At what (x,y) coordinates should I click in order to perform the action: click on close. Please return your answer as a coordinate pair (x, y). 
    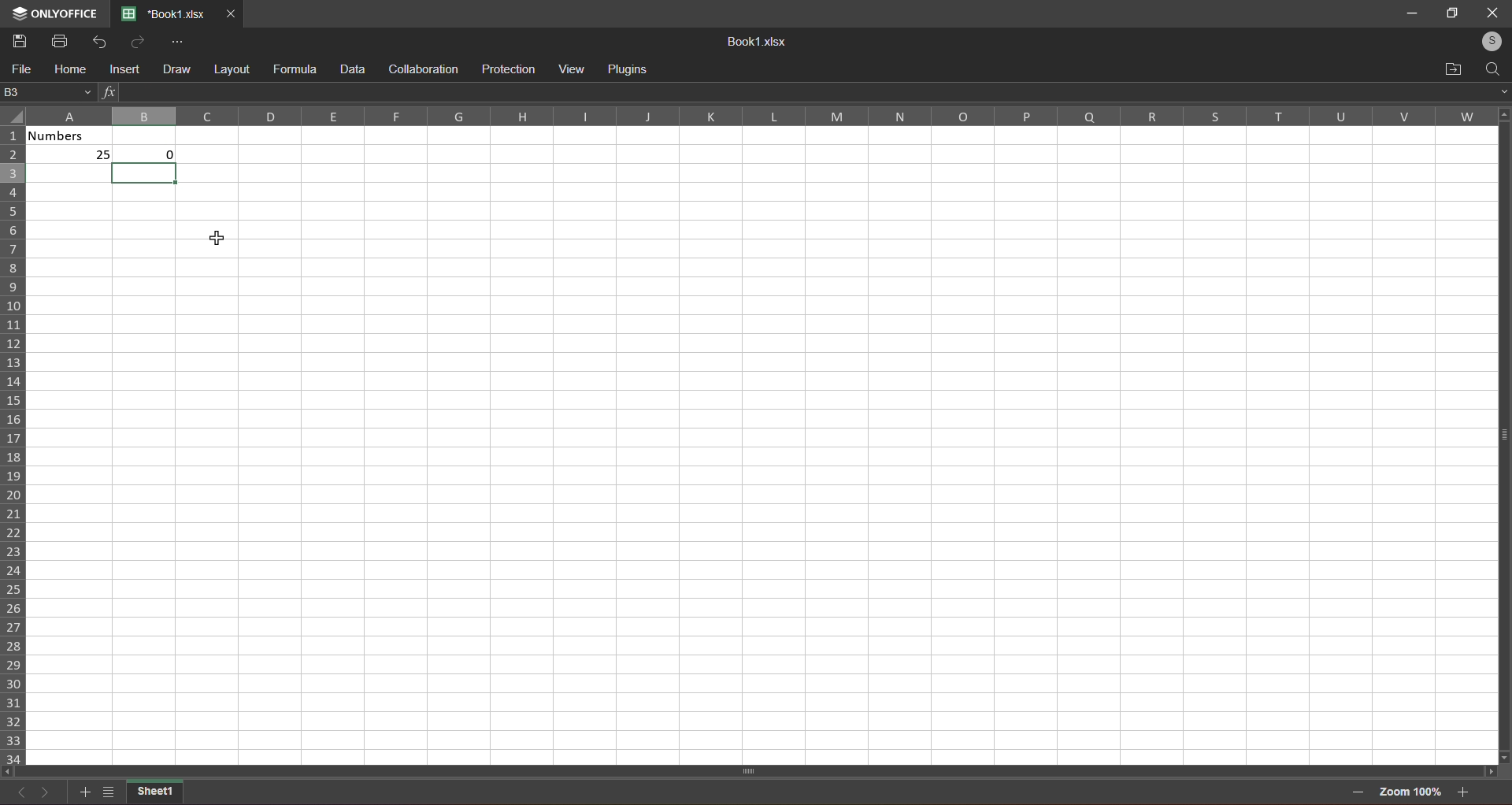
    Looking at the image, I should click on (1491, 13).